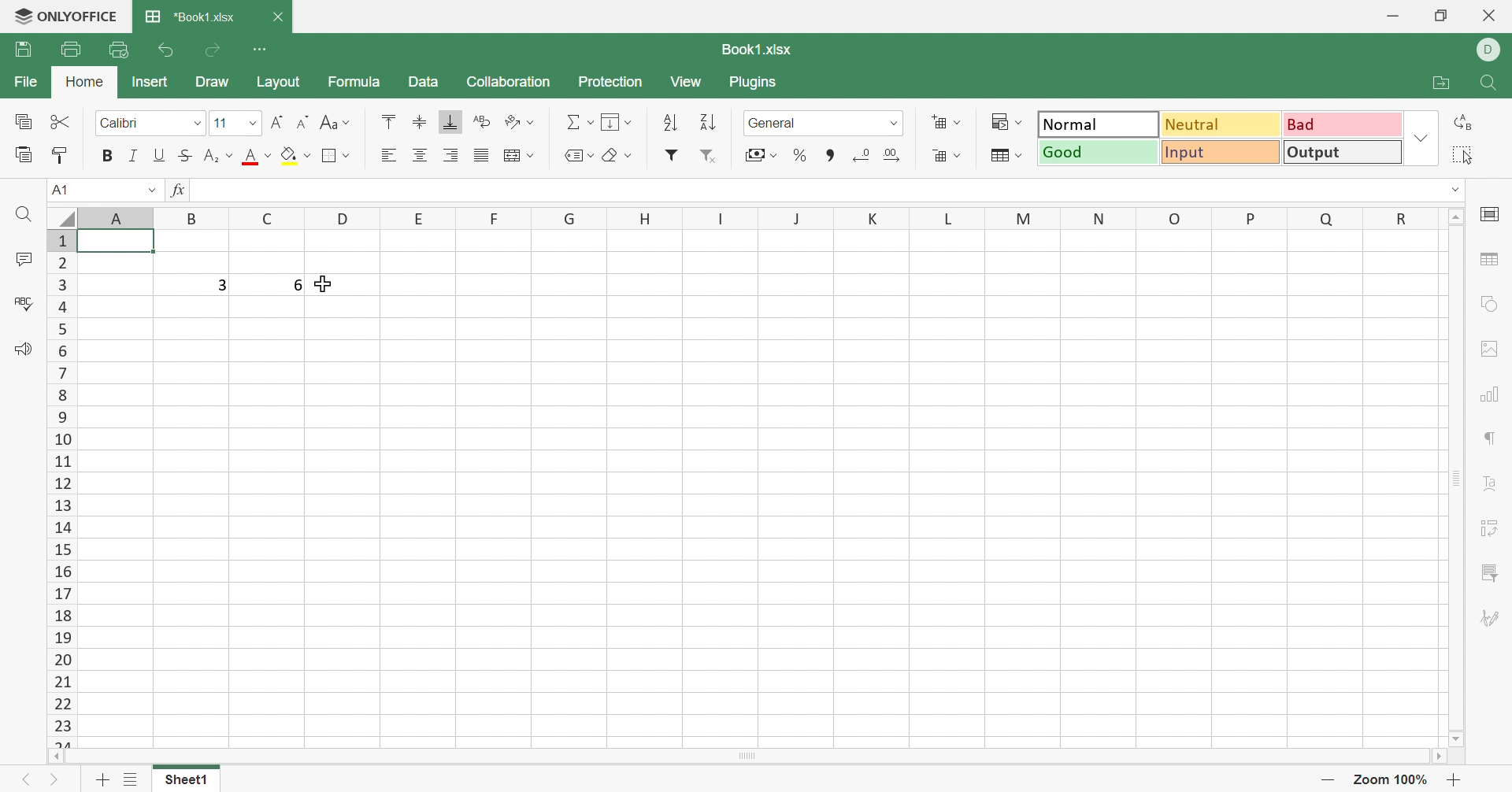 The width and height of the screenshot is (1512, 792). What do you see at coordinates (322, 282) in the screenshot?
I see `Cursor` at bounding box center [322, 282].